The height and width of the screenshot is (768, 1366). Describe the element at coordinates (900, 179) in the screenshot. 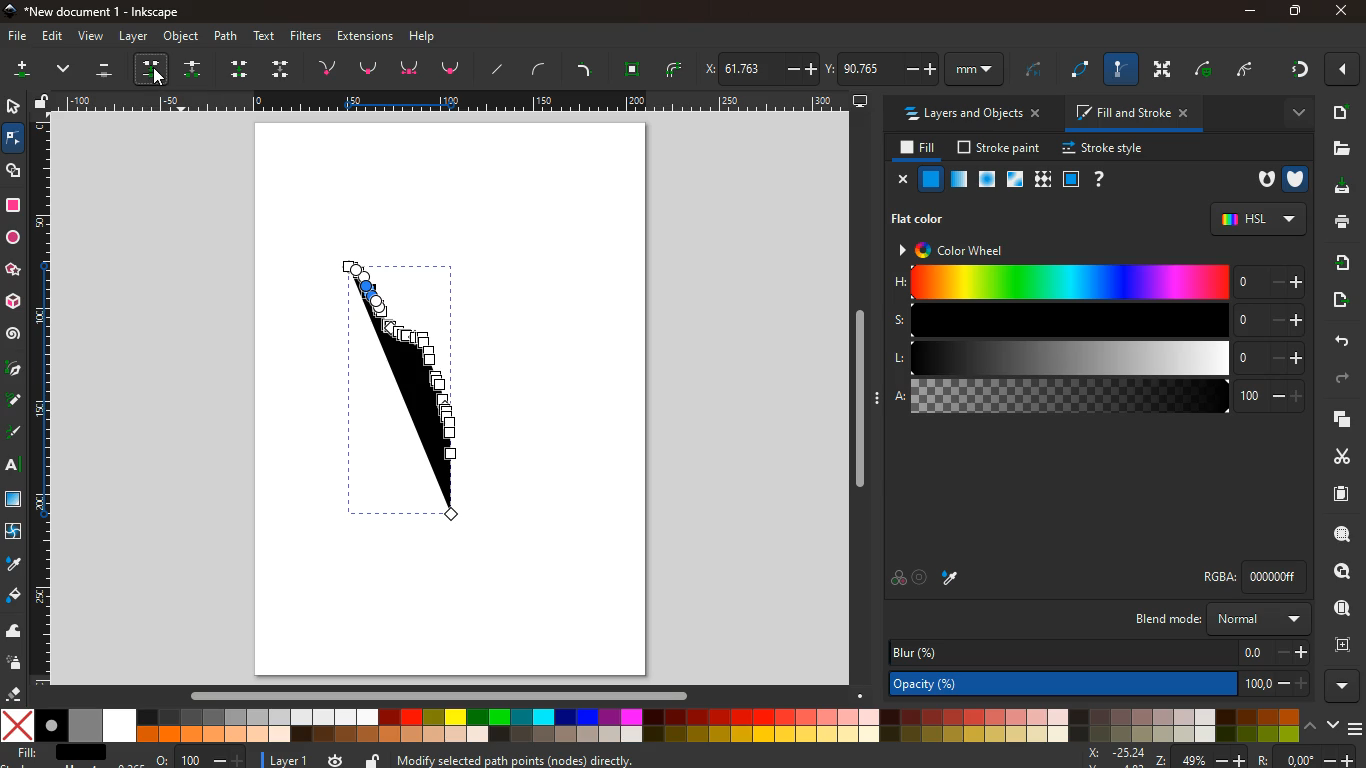

I see `close` at that location.